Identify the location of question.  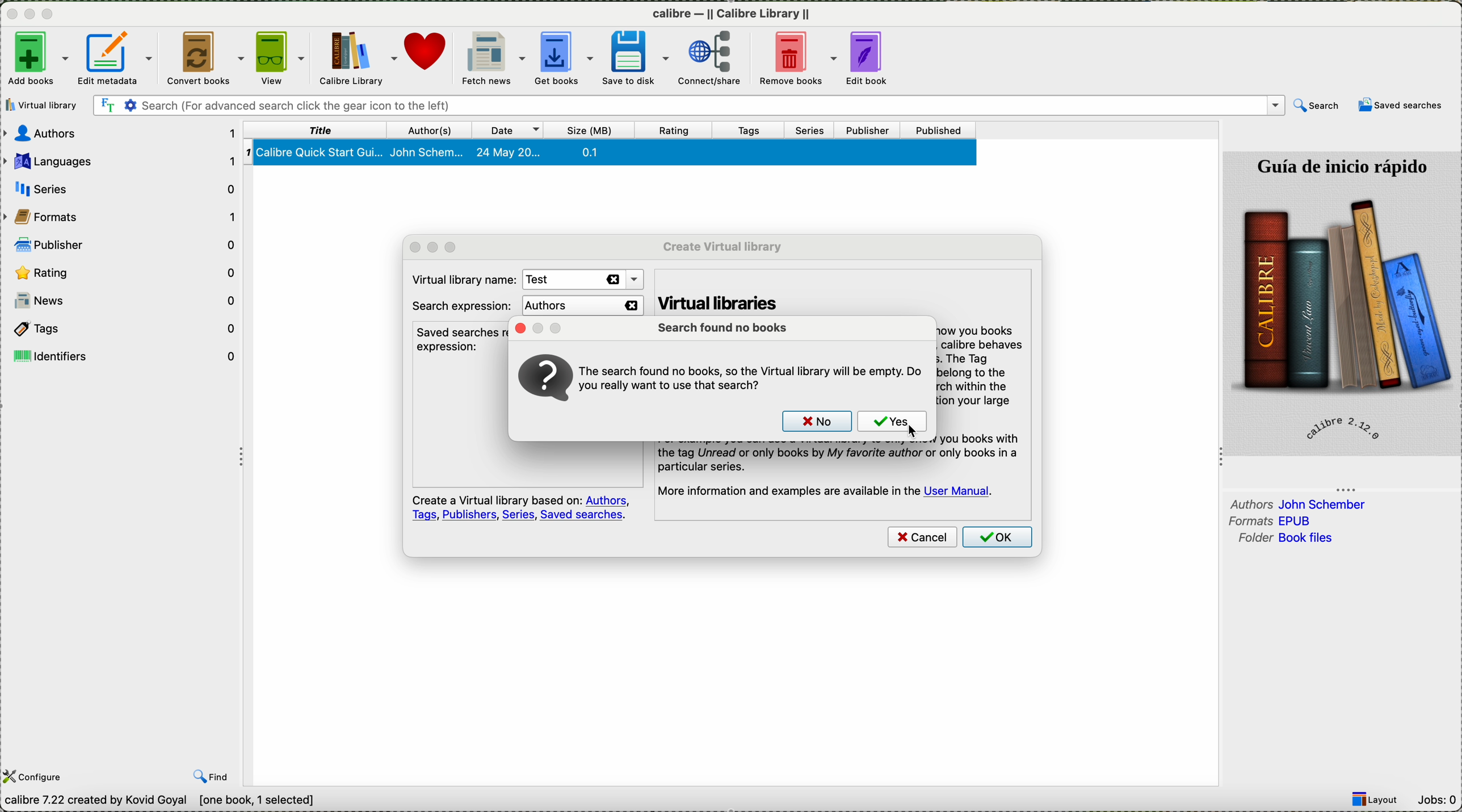
(752, 376).